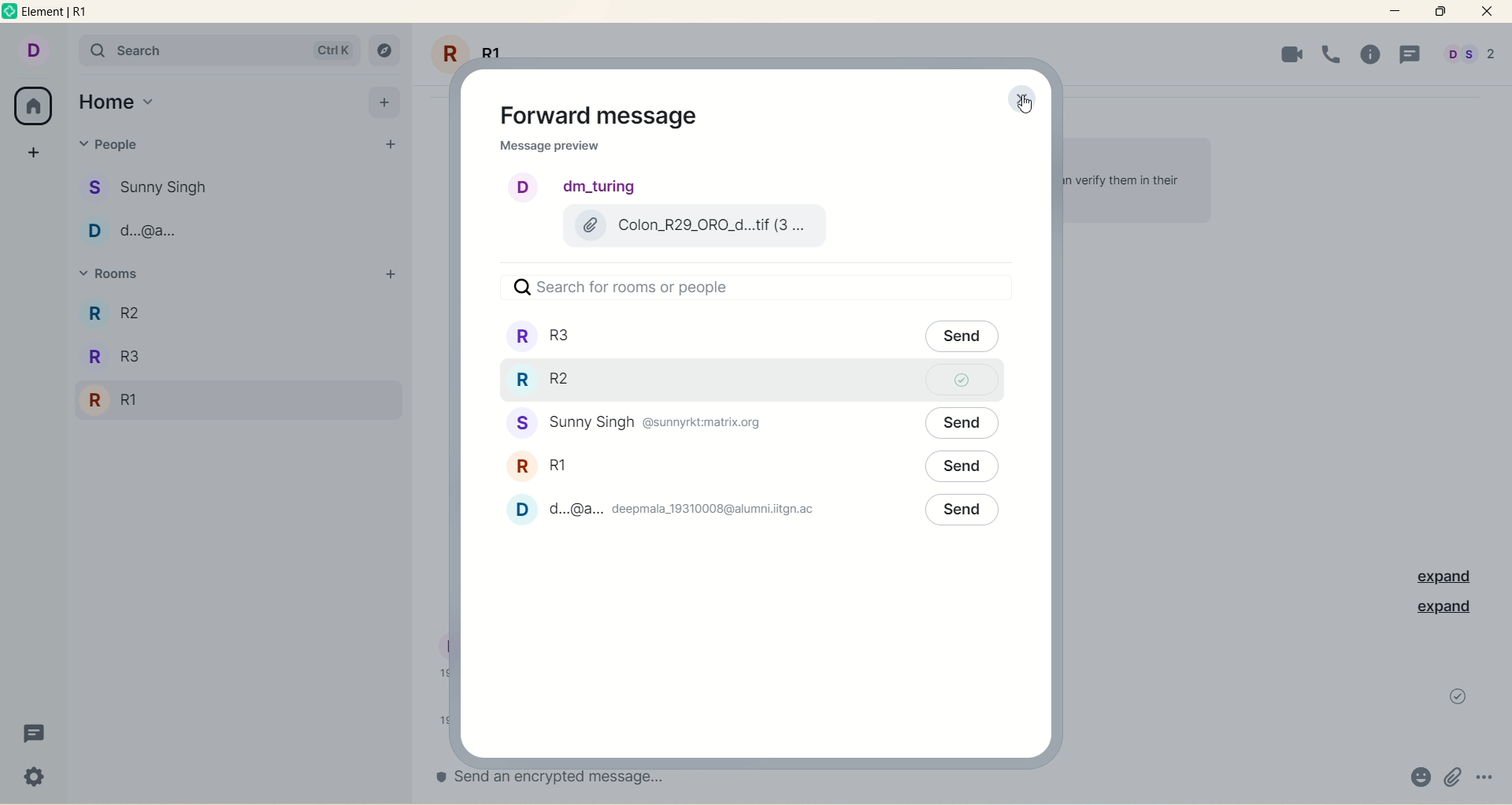 The height and width of the screenshot is (805, 1512). What do you see at coordinates (1453, 777) in the screenshot?
I see `attachment` at bounding box center [1453, 777].